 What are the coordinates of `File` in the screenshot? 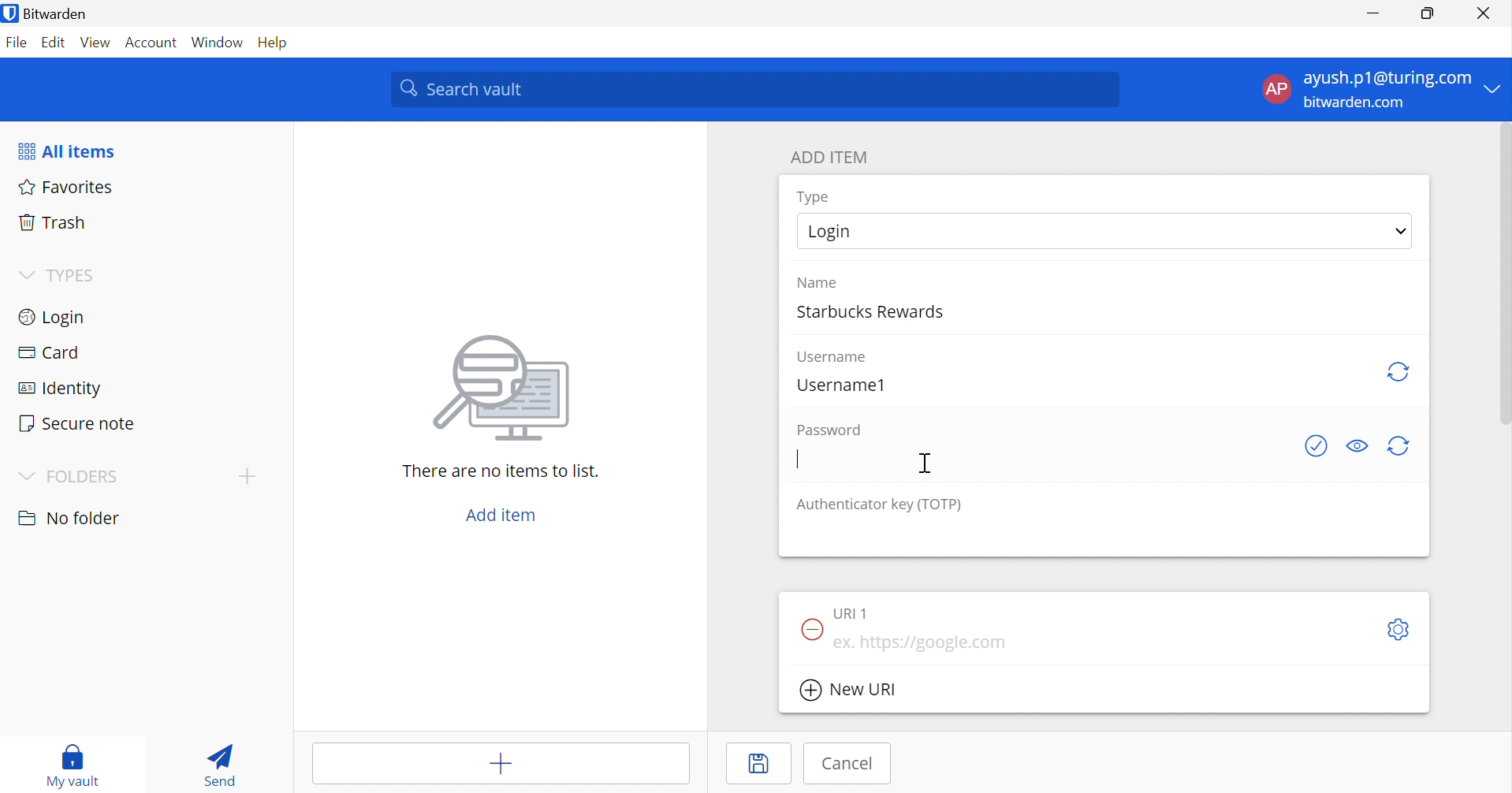 It's located at (17, 45).